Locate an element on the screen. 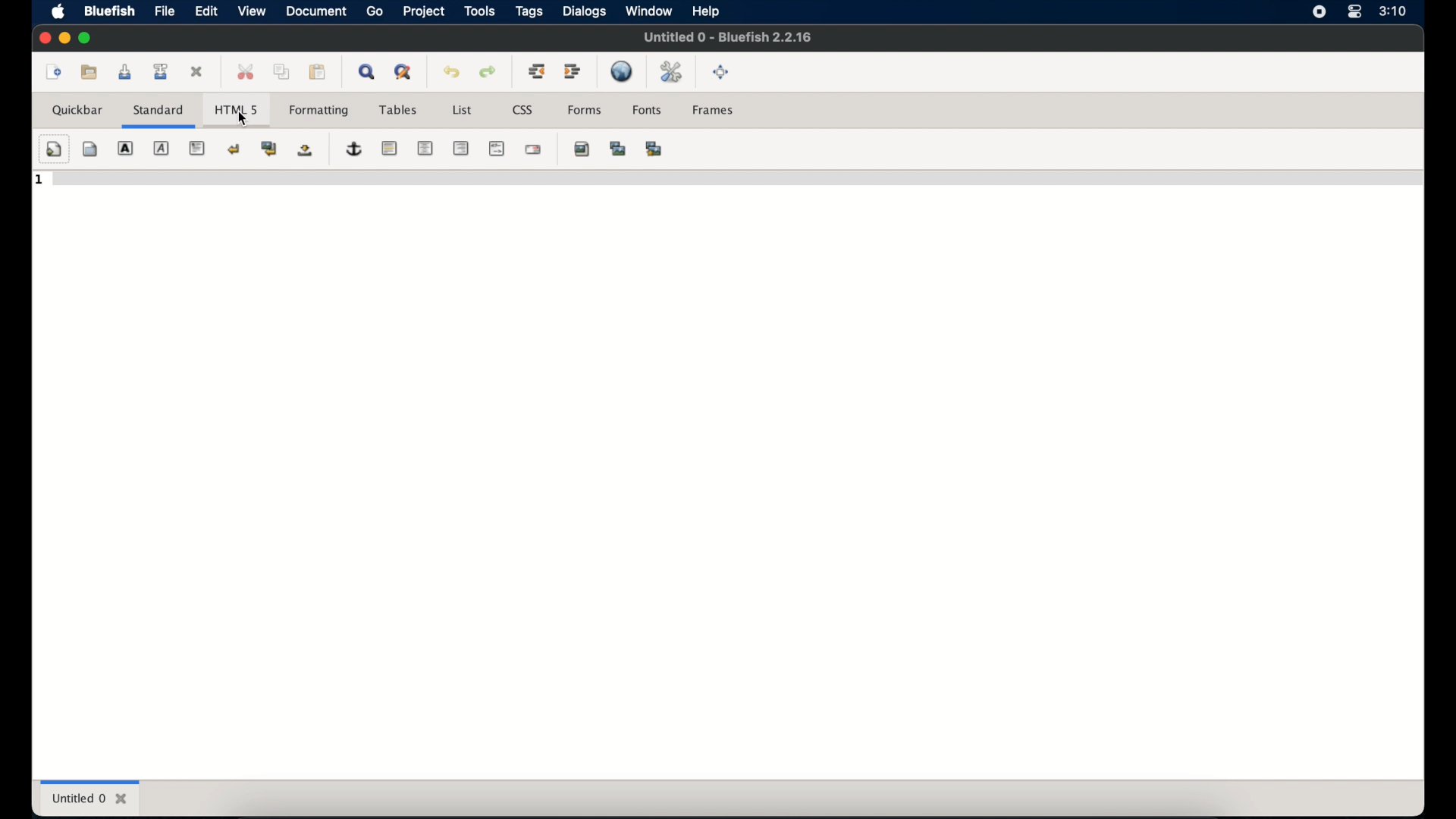 The image size is (1456, 819). time is located at coordinates (1392, 11).